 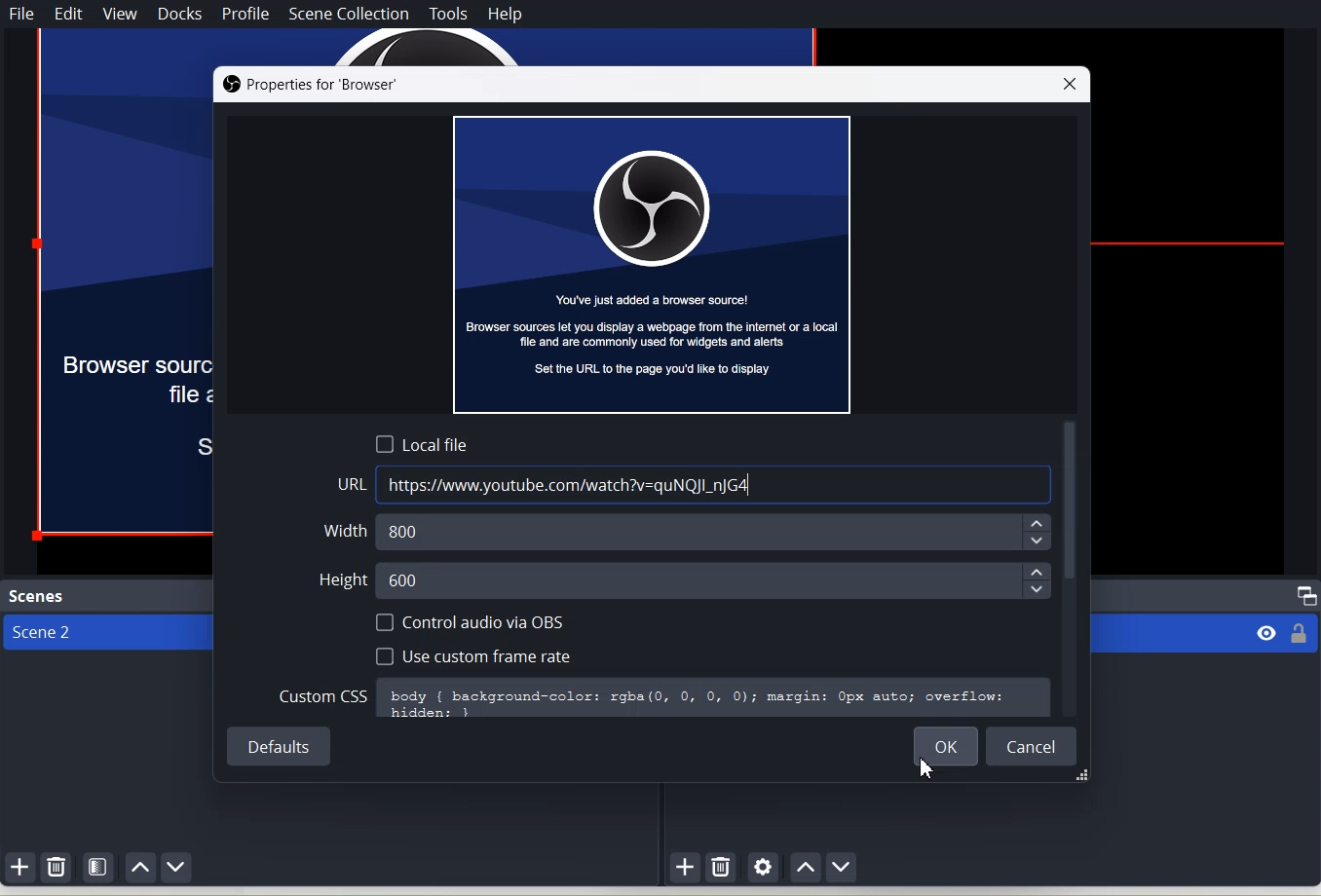 What do you see at coordinates (39, 596) in the screenshot?
I see `Text` at bounding box center [39, 596].